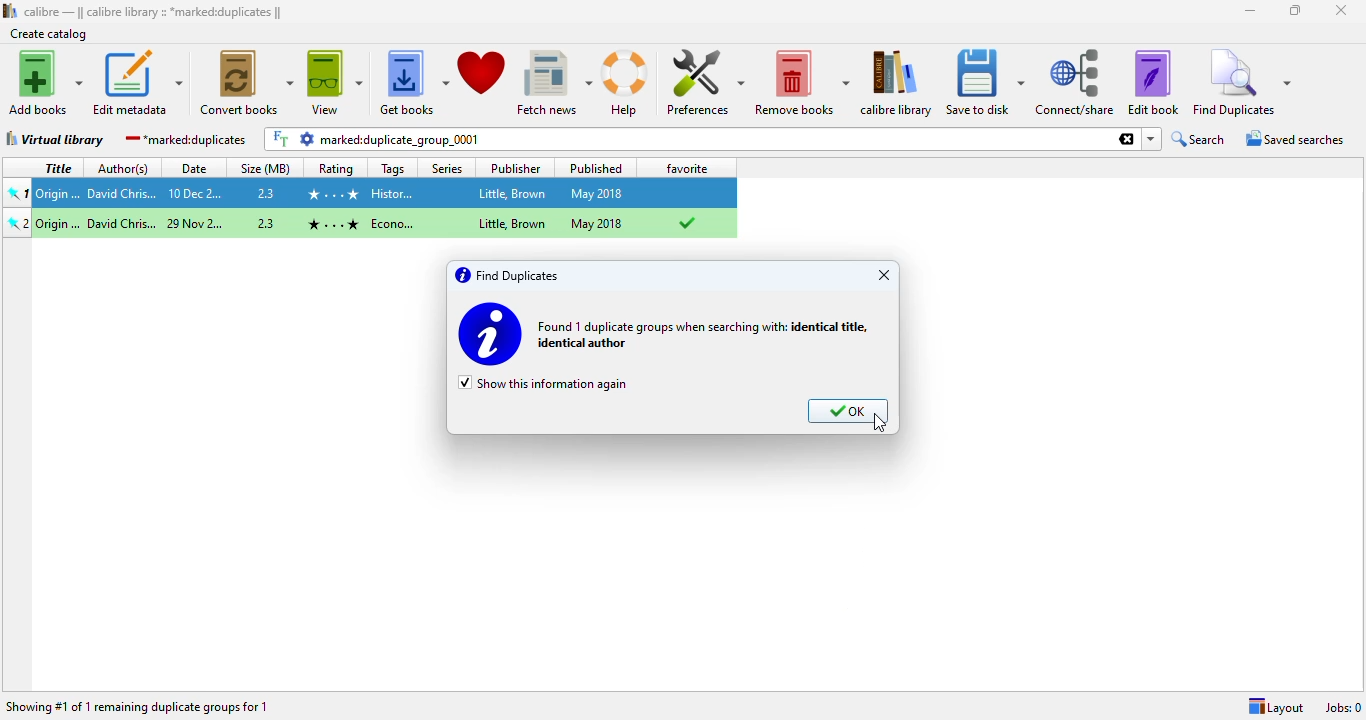 This screenshot has height=720, width=1366. Describe the element at coordinates (545, 384) in the screenshot. I see `show this information again` at that location.